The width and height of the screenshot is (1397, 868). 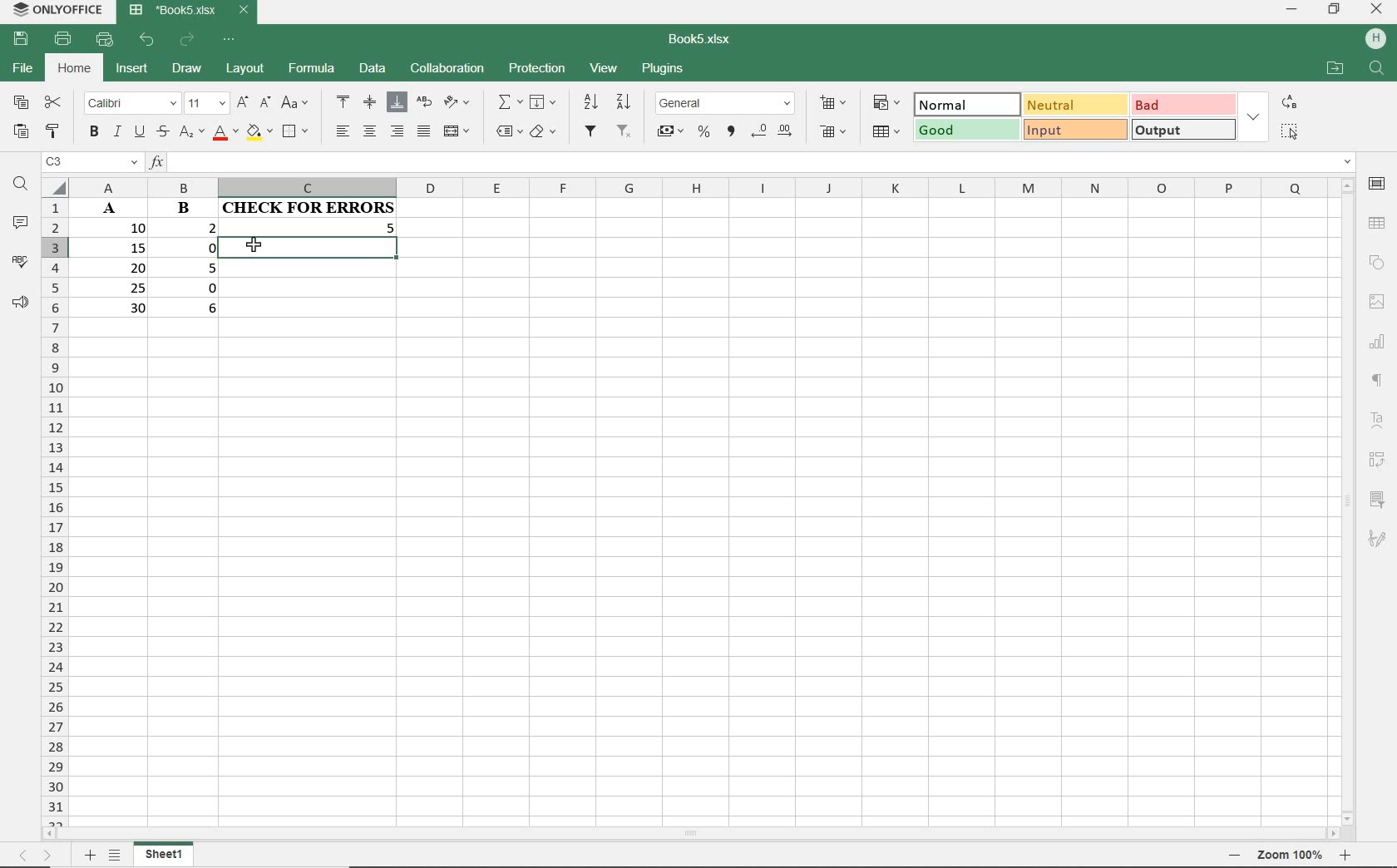 What do you see at coordinates (1378, 381) in the screenshot?
I see `PARAGRAPH SETTINGS` at bounding box center [1378, 381].